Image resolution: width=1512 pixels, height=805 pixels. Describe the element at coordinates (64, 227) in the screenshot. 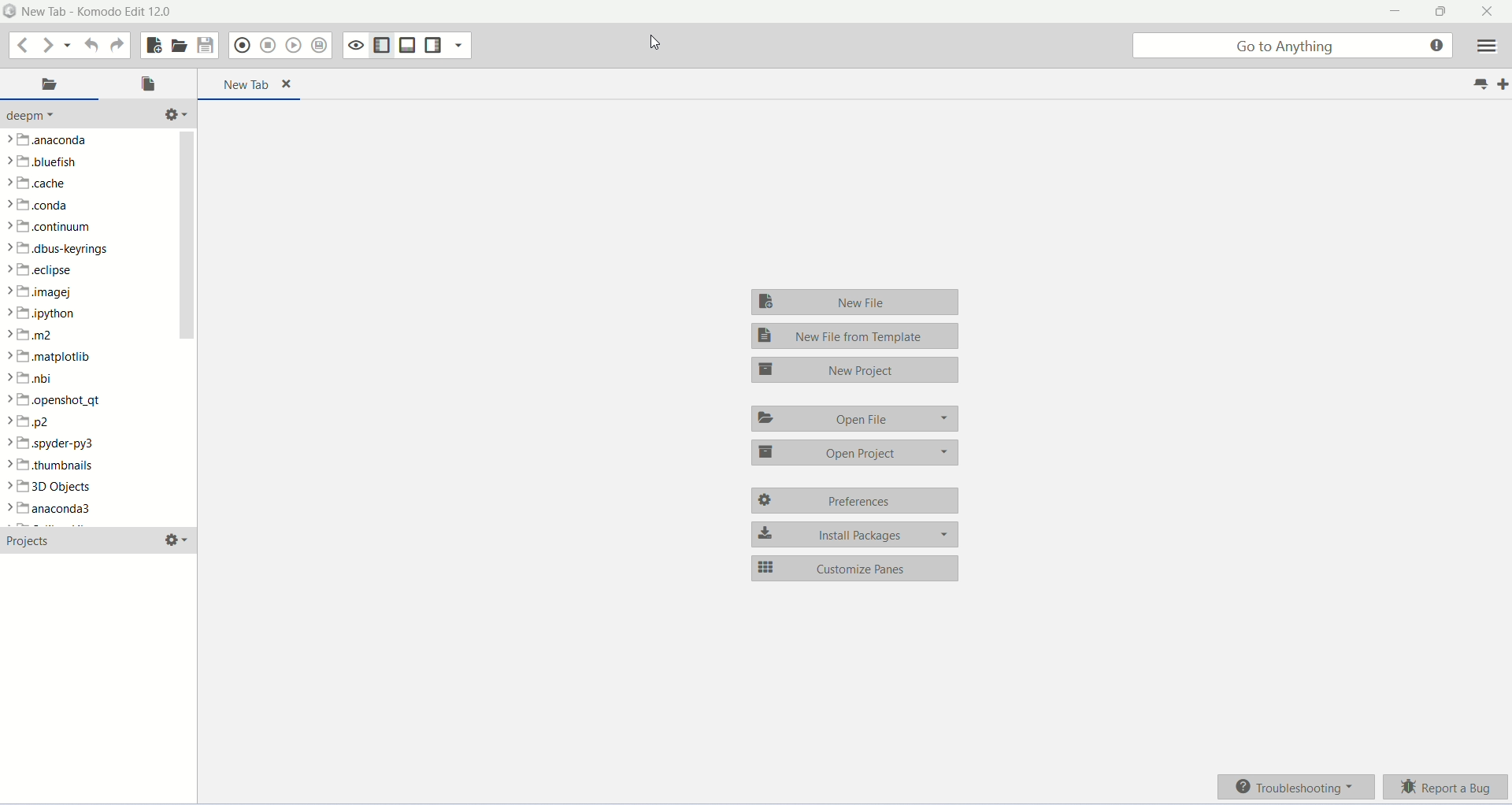

I see `continuum` at that location.